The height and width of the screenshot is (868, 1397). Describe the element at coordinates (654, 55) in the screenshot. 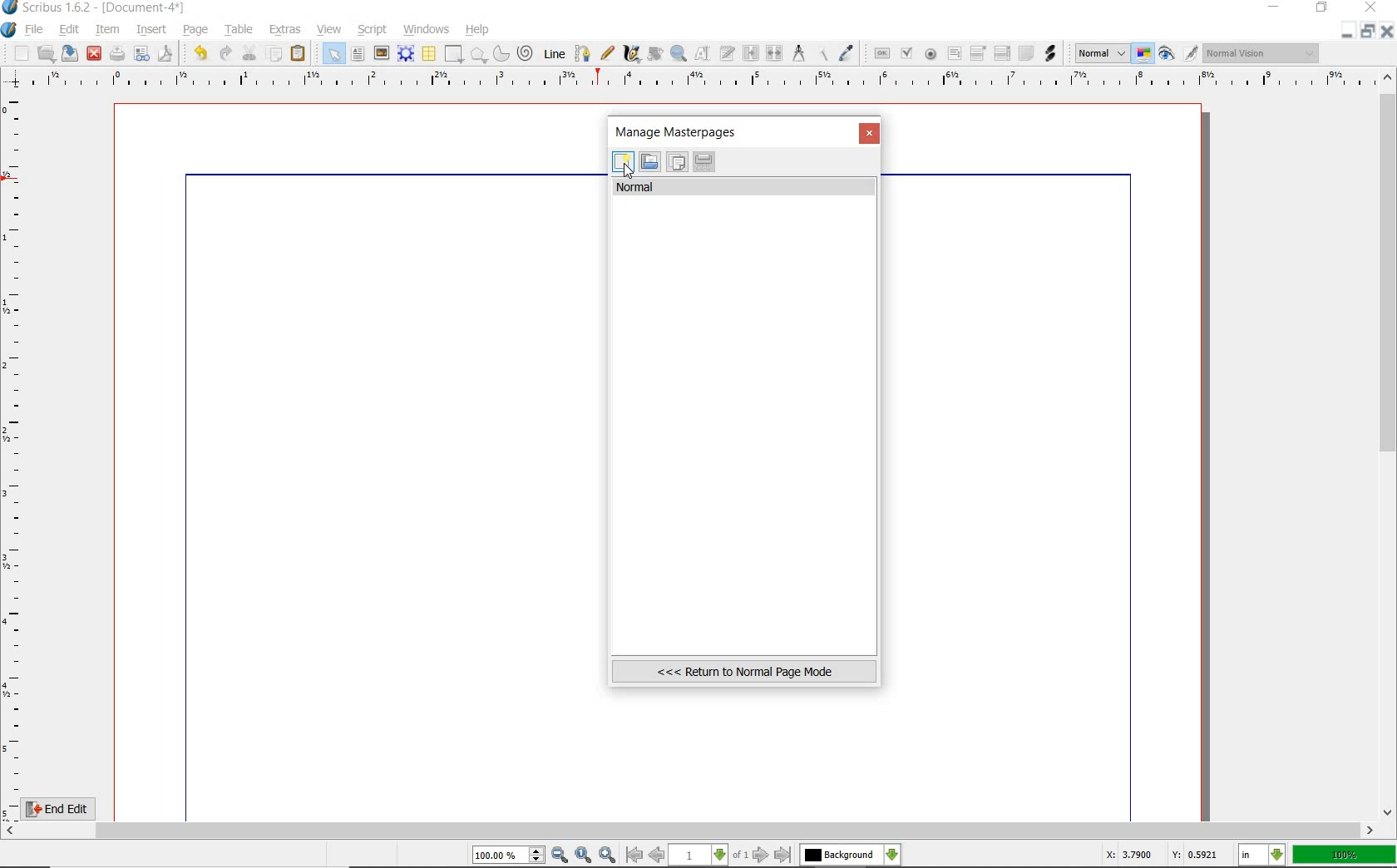

I see `rotate item` at that location.